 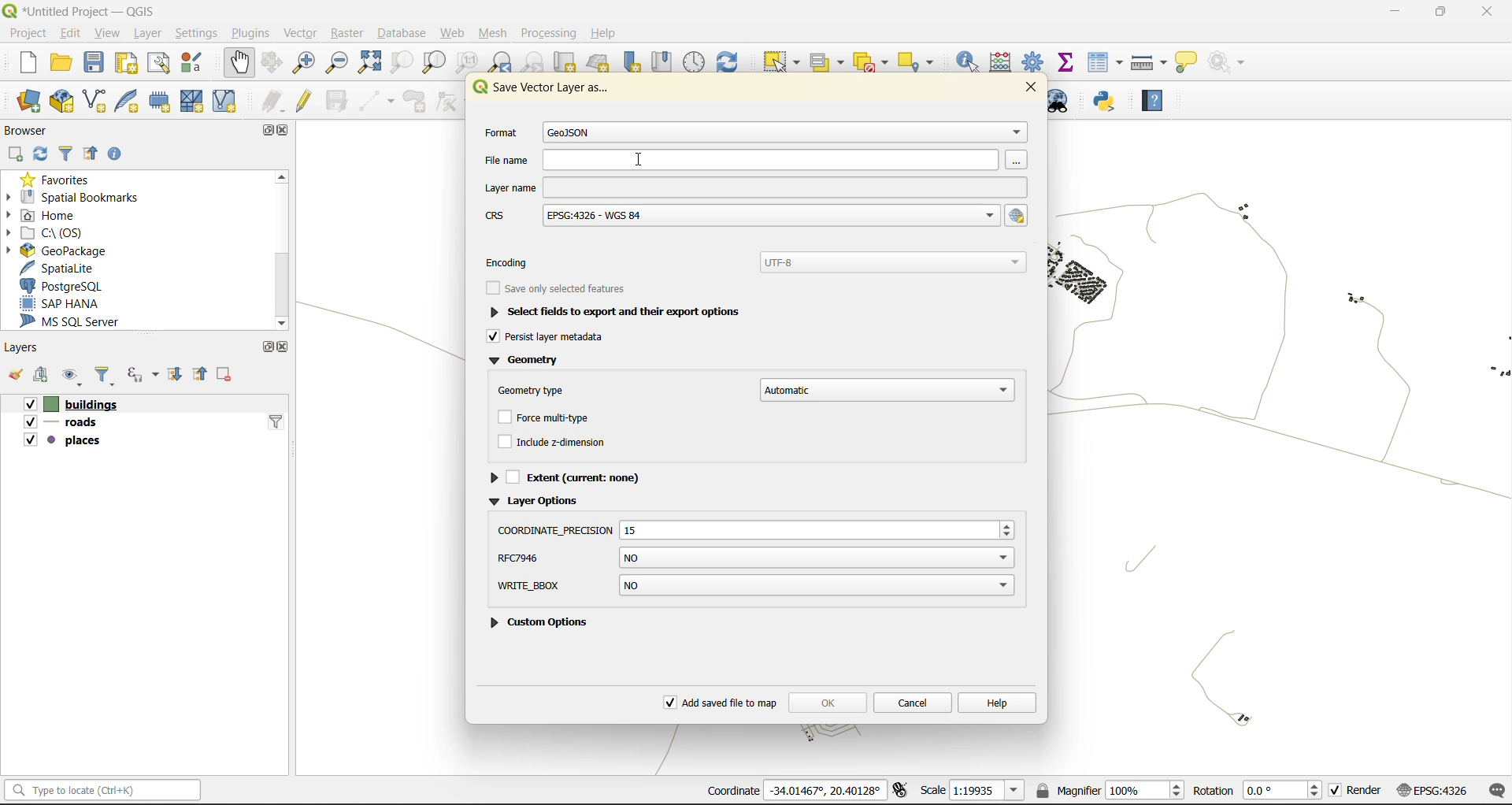 What do you see at coordinates (760, 261) in the screenshot?
I see `encoding` at bounding box center [760, 261].